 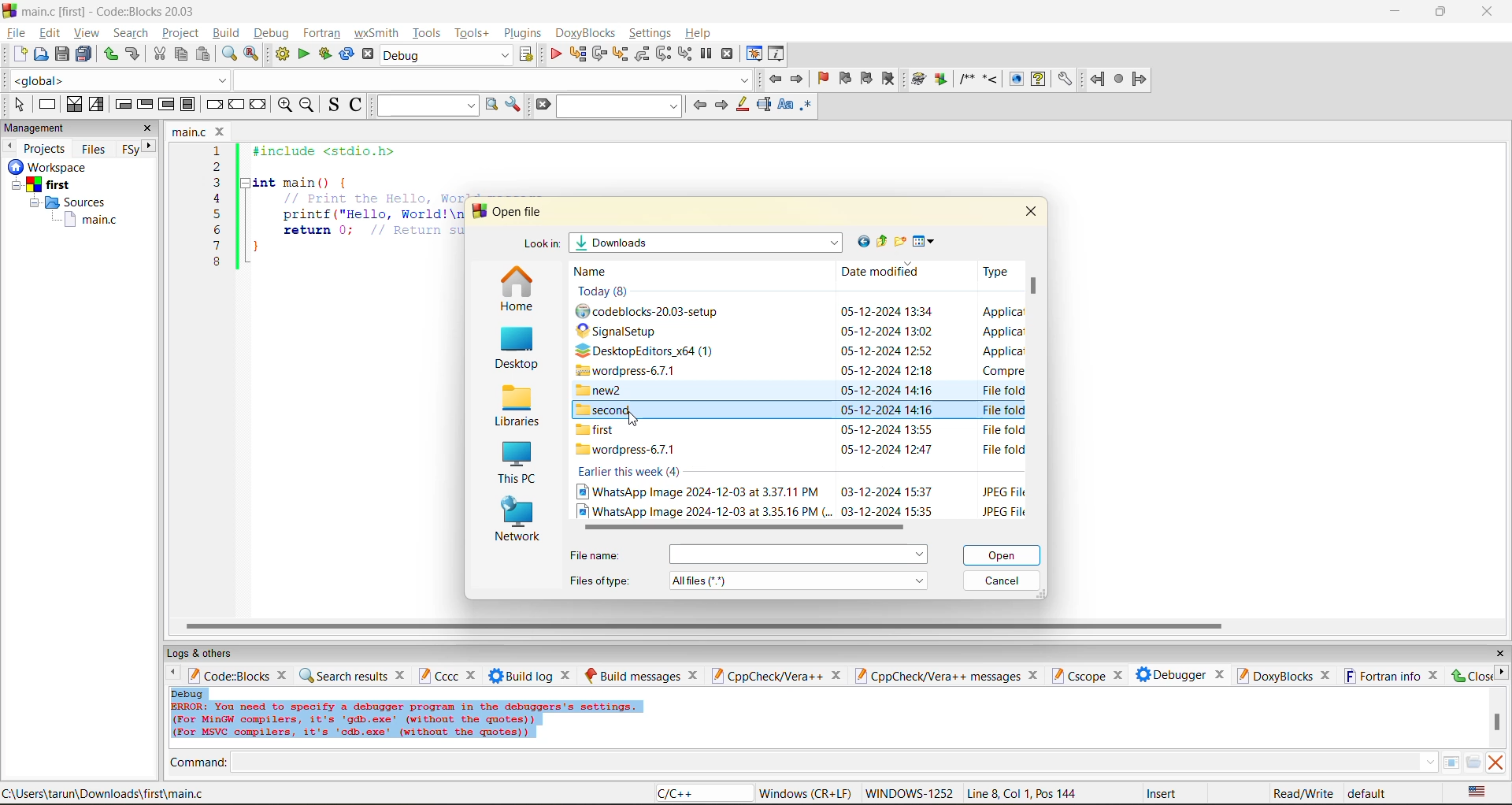 What do you see at coordinates (222, 132) in the screenshot?
I see `close` at bounding box center [222, 132].